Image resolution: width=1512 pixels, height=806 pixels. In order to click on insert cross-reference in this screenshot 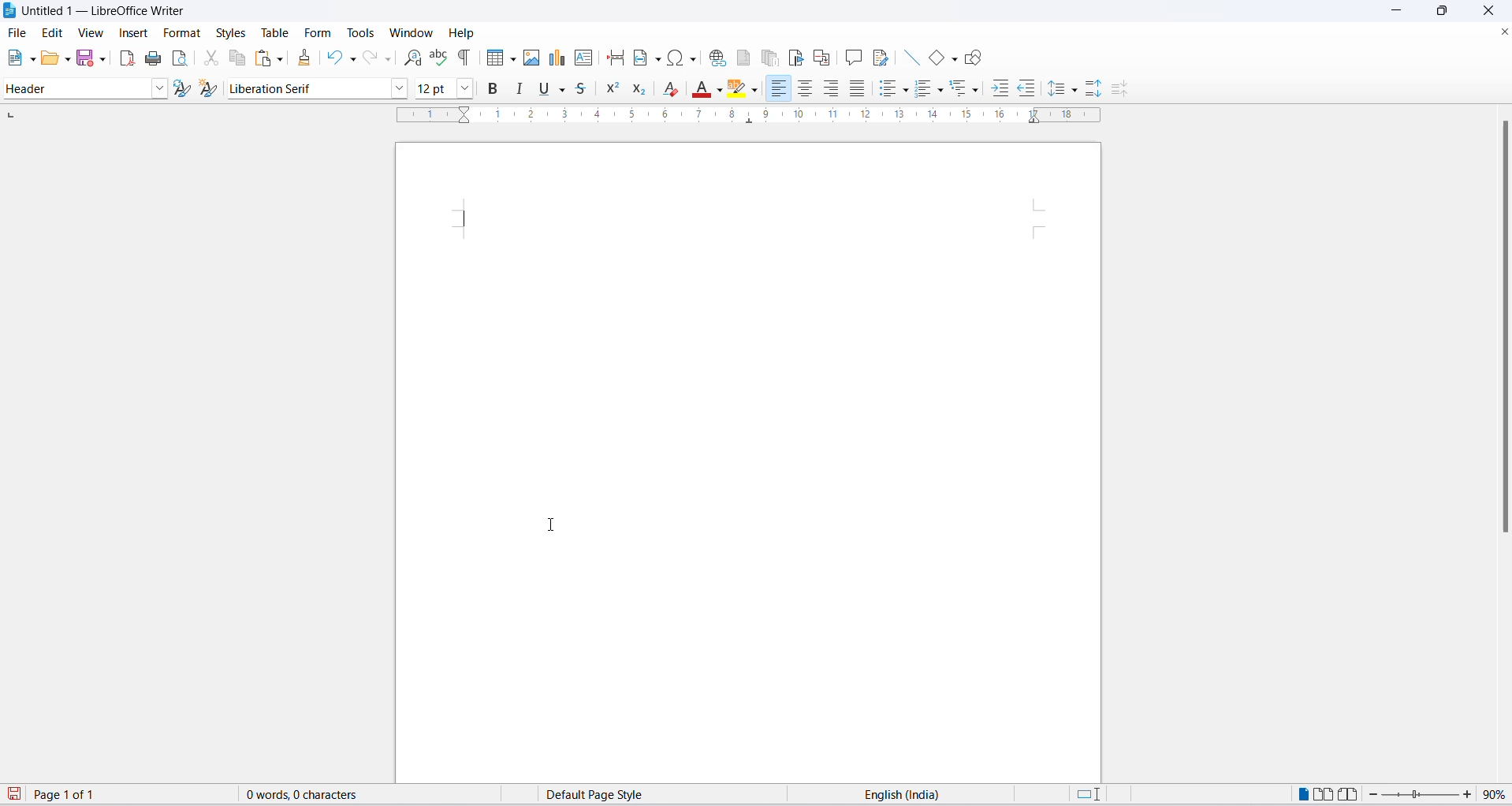, I will do `click(823, 54)`.